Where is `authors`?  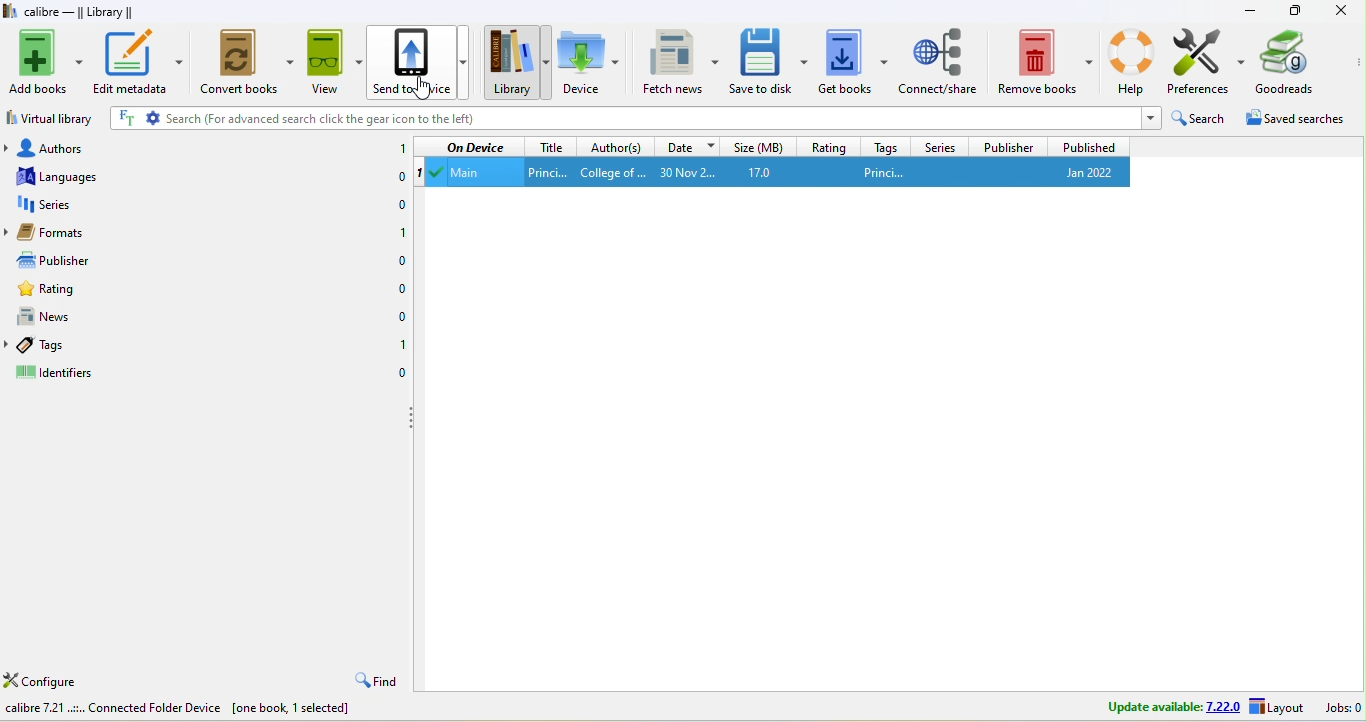 authors is located at coordinates (616, 148).